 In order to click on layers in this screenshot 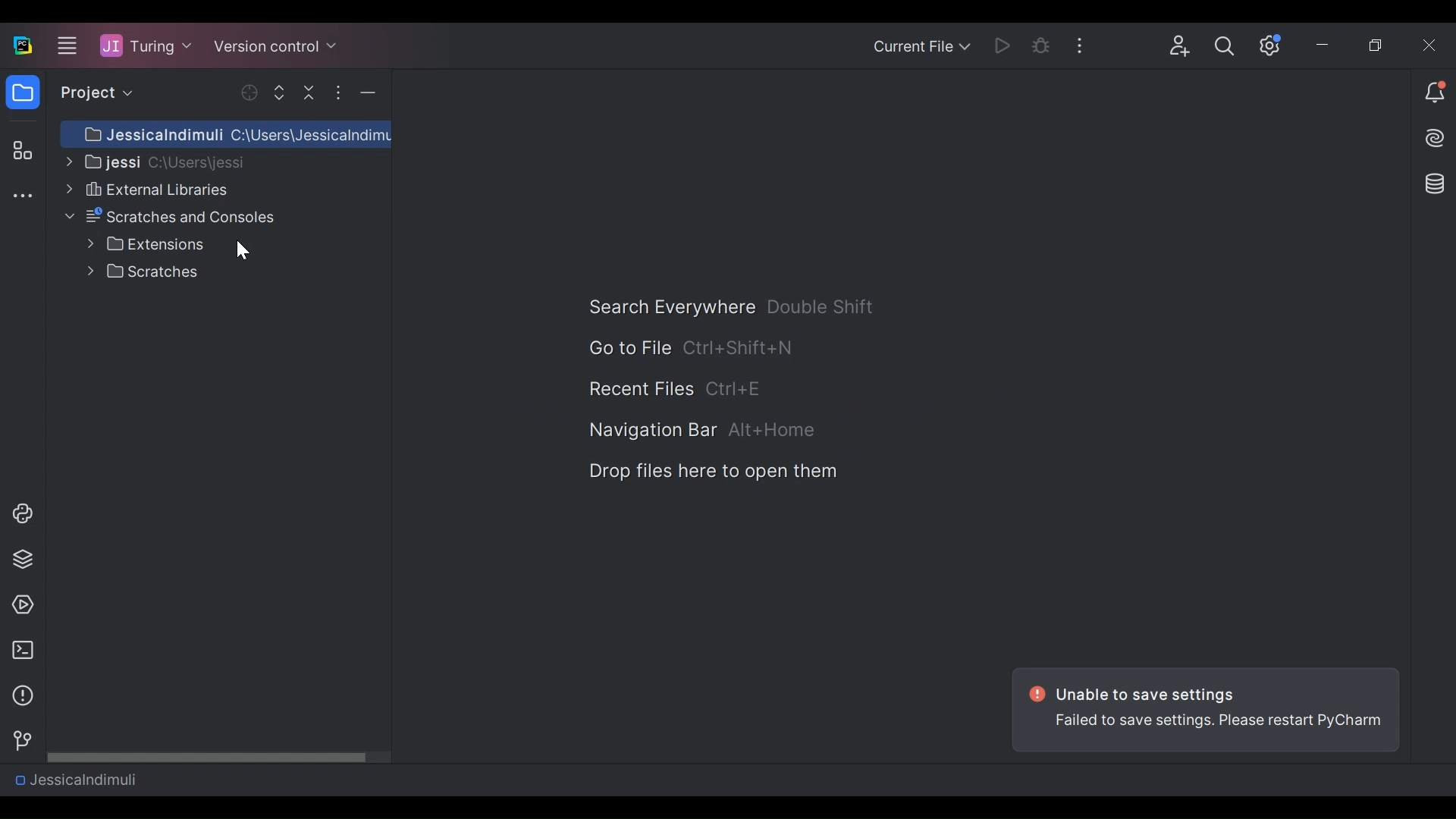, I will do `click(22, 558)`.